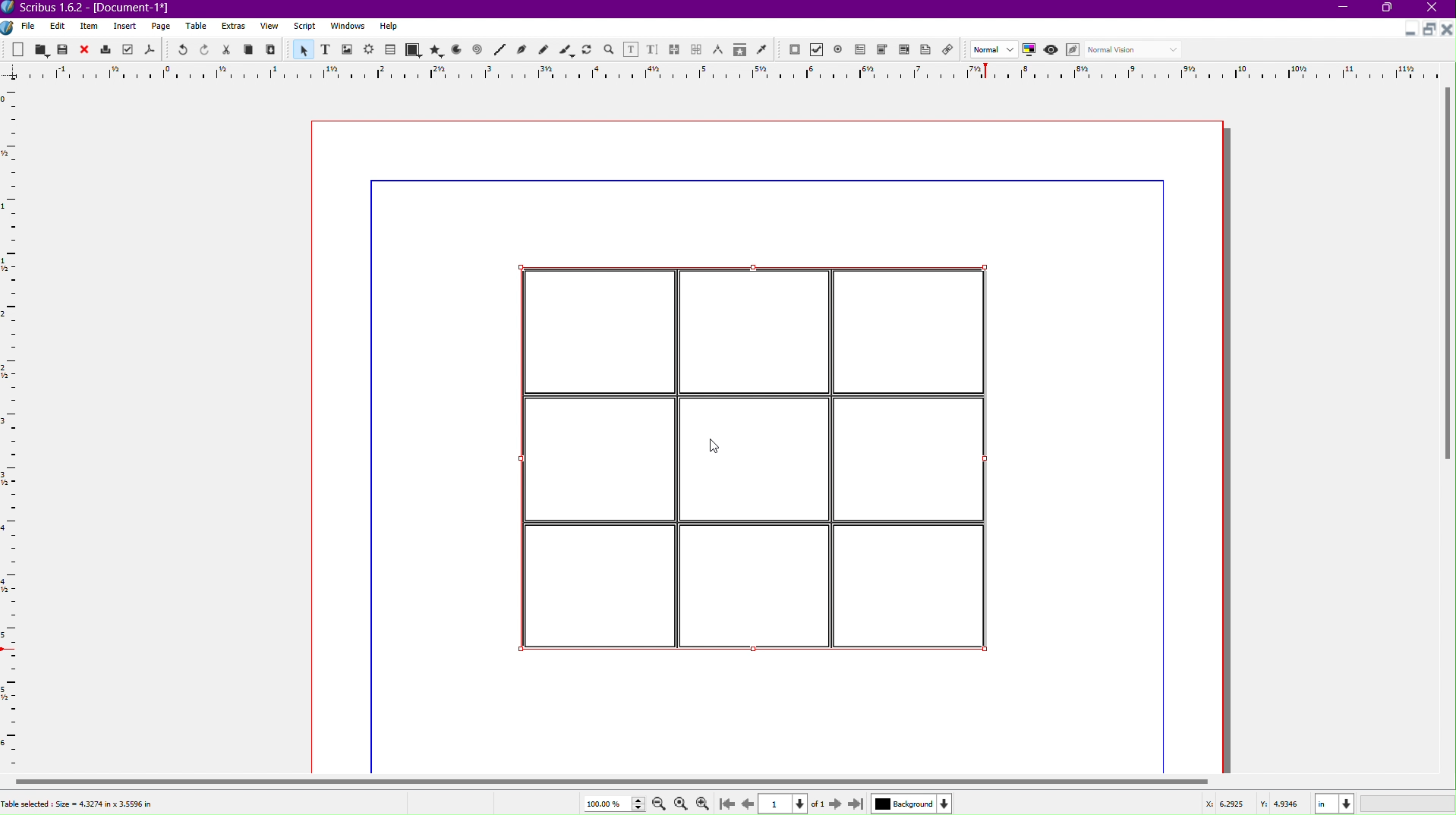 The height and width of the screenshot is (815, 1456). What do you see at coordinates (1428, 30) in the screenshot?
I see `Maximize` at bounding box center [1428, 30].